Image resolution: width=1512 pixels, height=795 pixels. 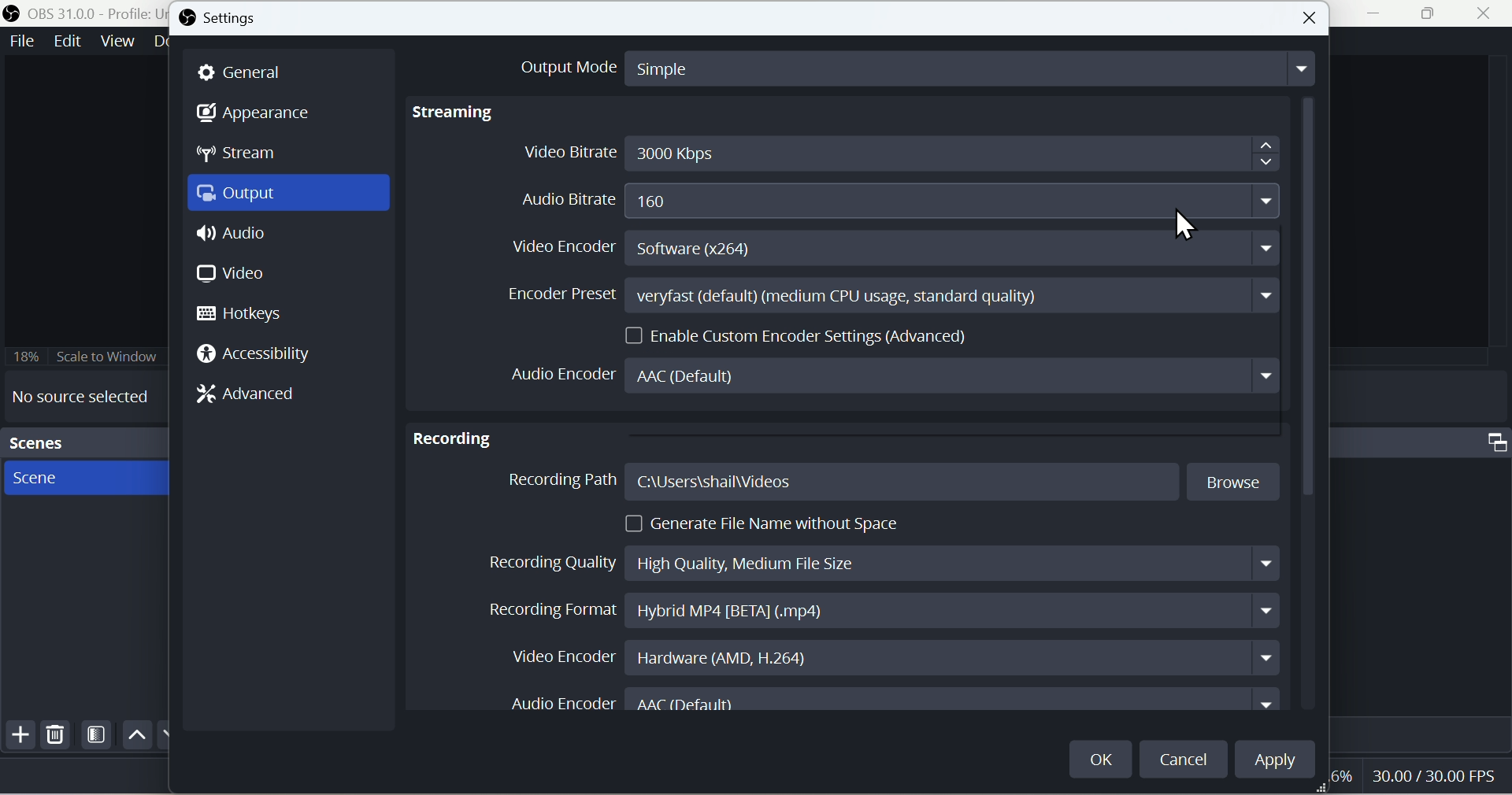 I want to click on Audio Encoder, so click(x=892, y=375).